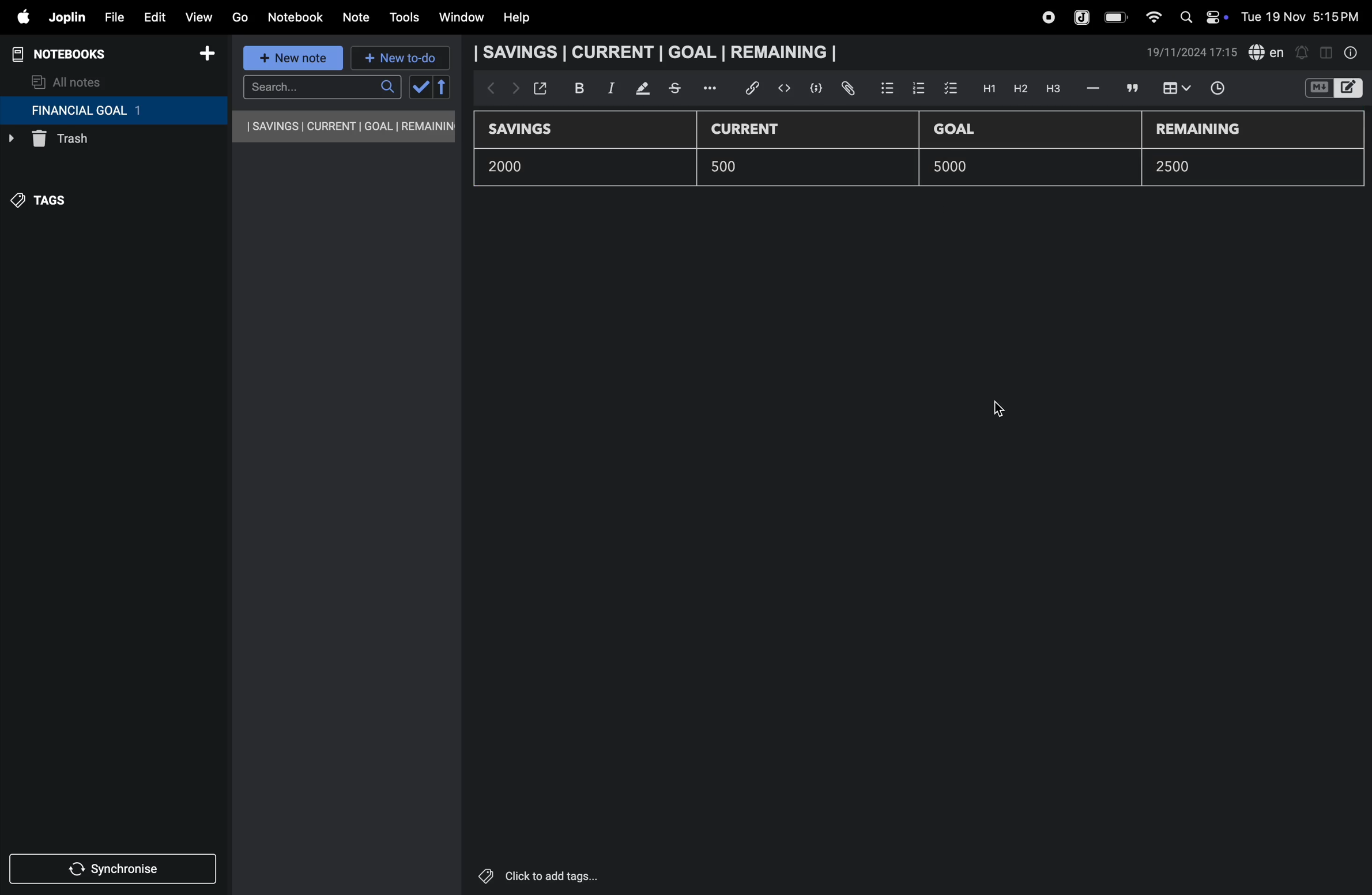  Describe the element at coordinates (1117, 17) in the screenshot. I see `battery` at that location.